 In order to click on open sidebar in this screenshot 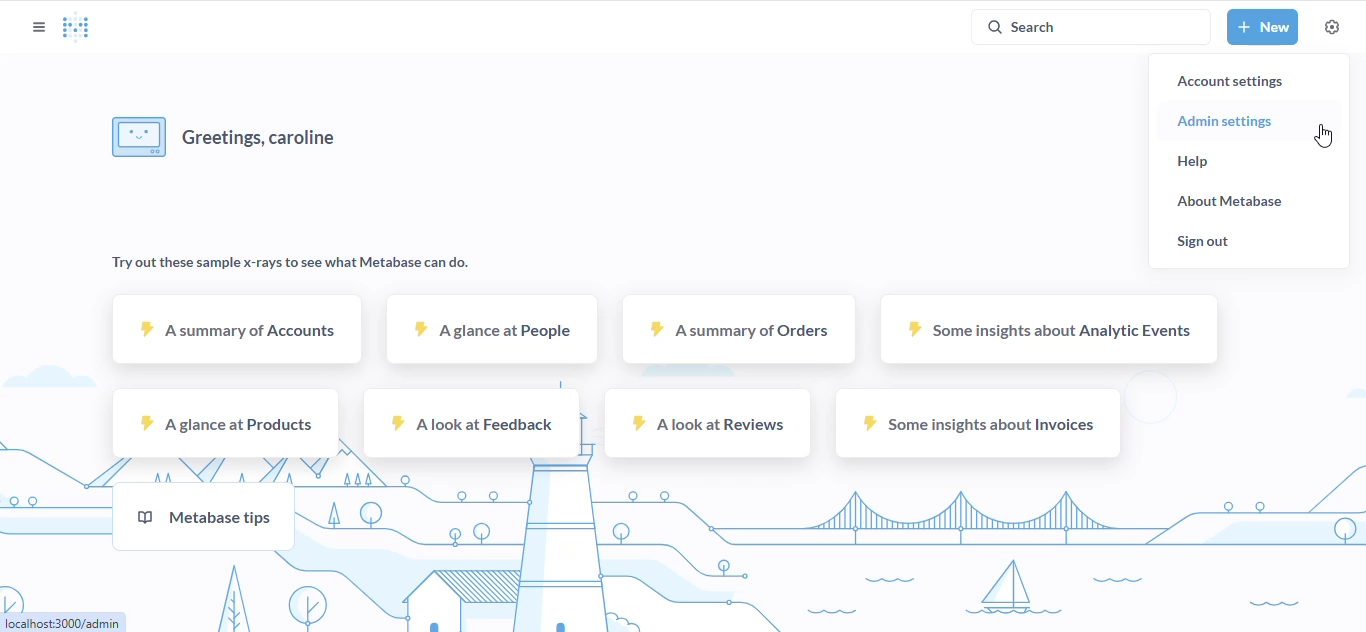, I will do `click(38, 27)`.